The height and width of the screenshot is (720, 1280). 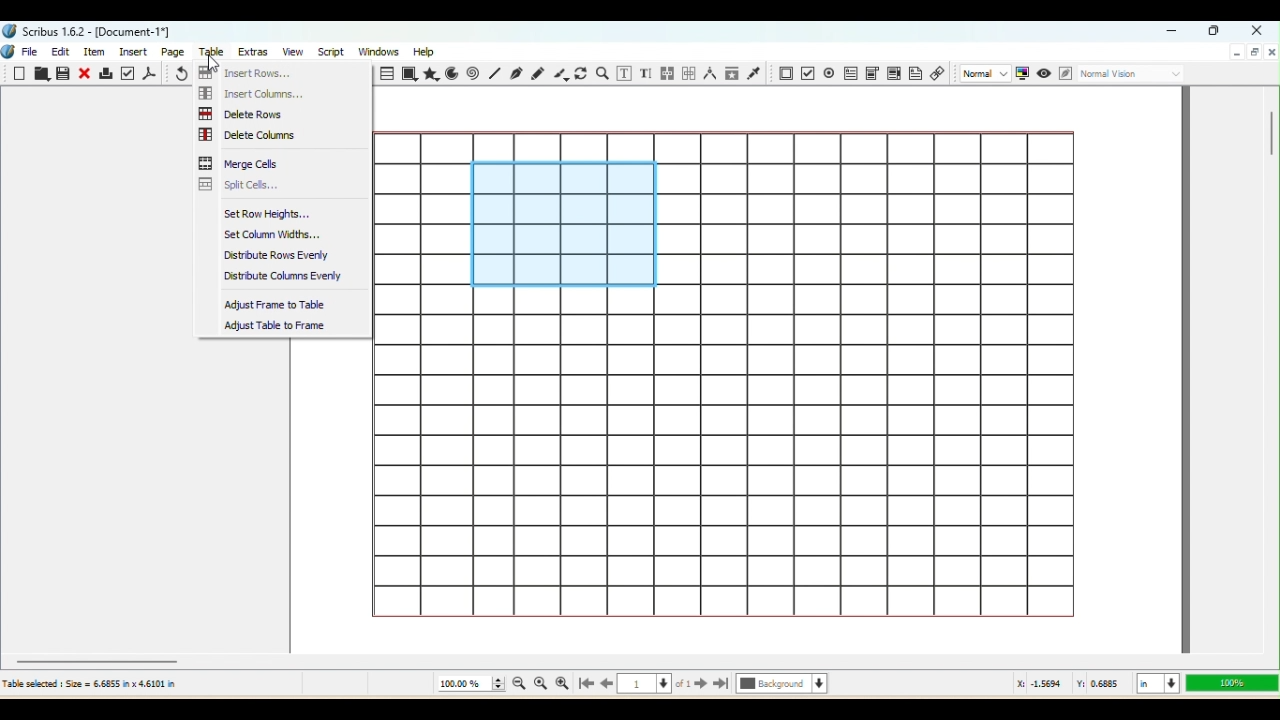 I want to click on Select the current Unit, so click(x=1156, y=684).